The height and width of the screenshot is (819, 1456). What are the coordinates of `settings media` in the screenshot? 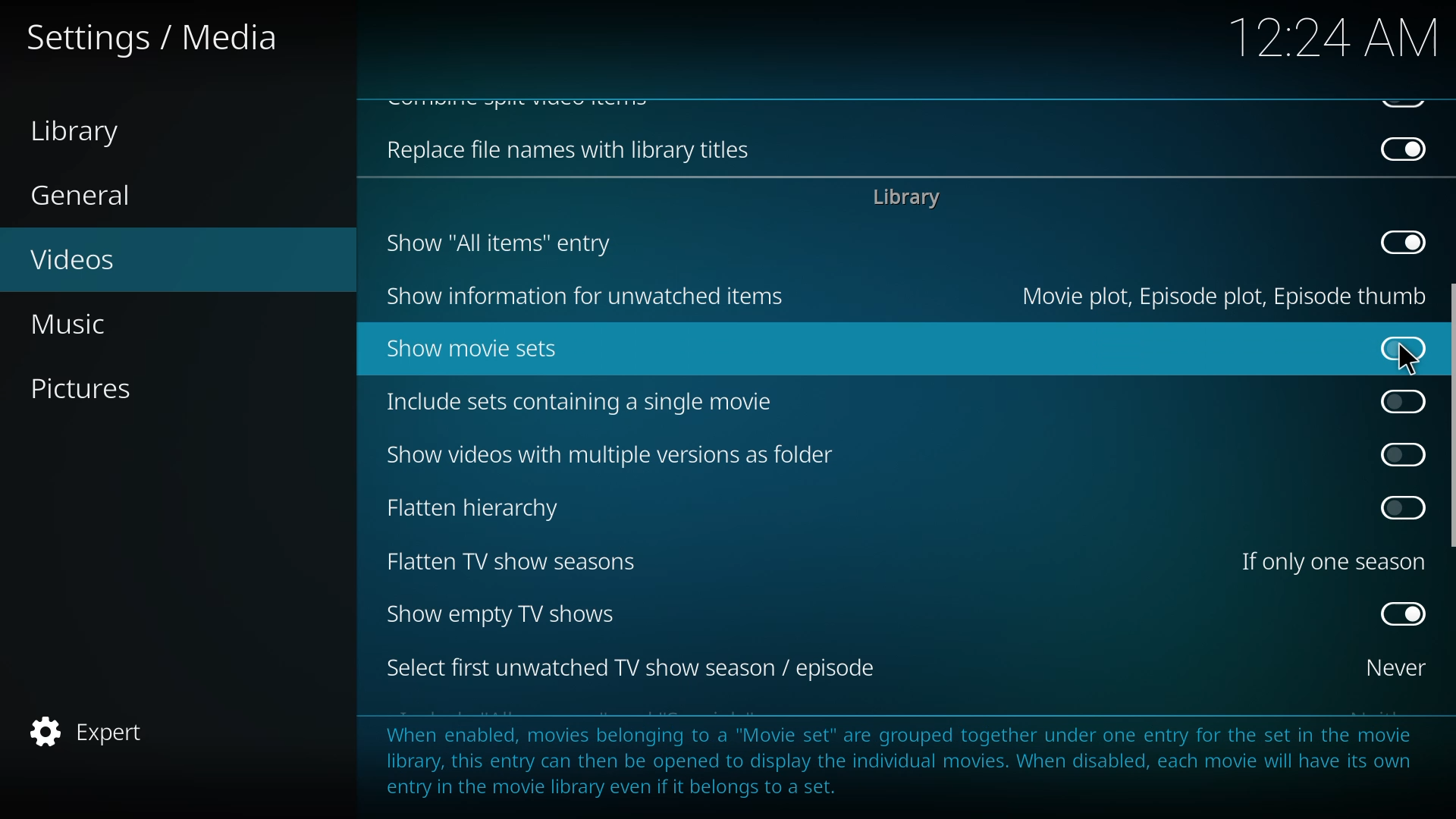 It's located at (161, 36).